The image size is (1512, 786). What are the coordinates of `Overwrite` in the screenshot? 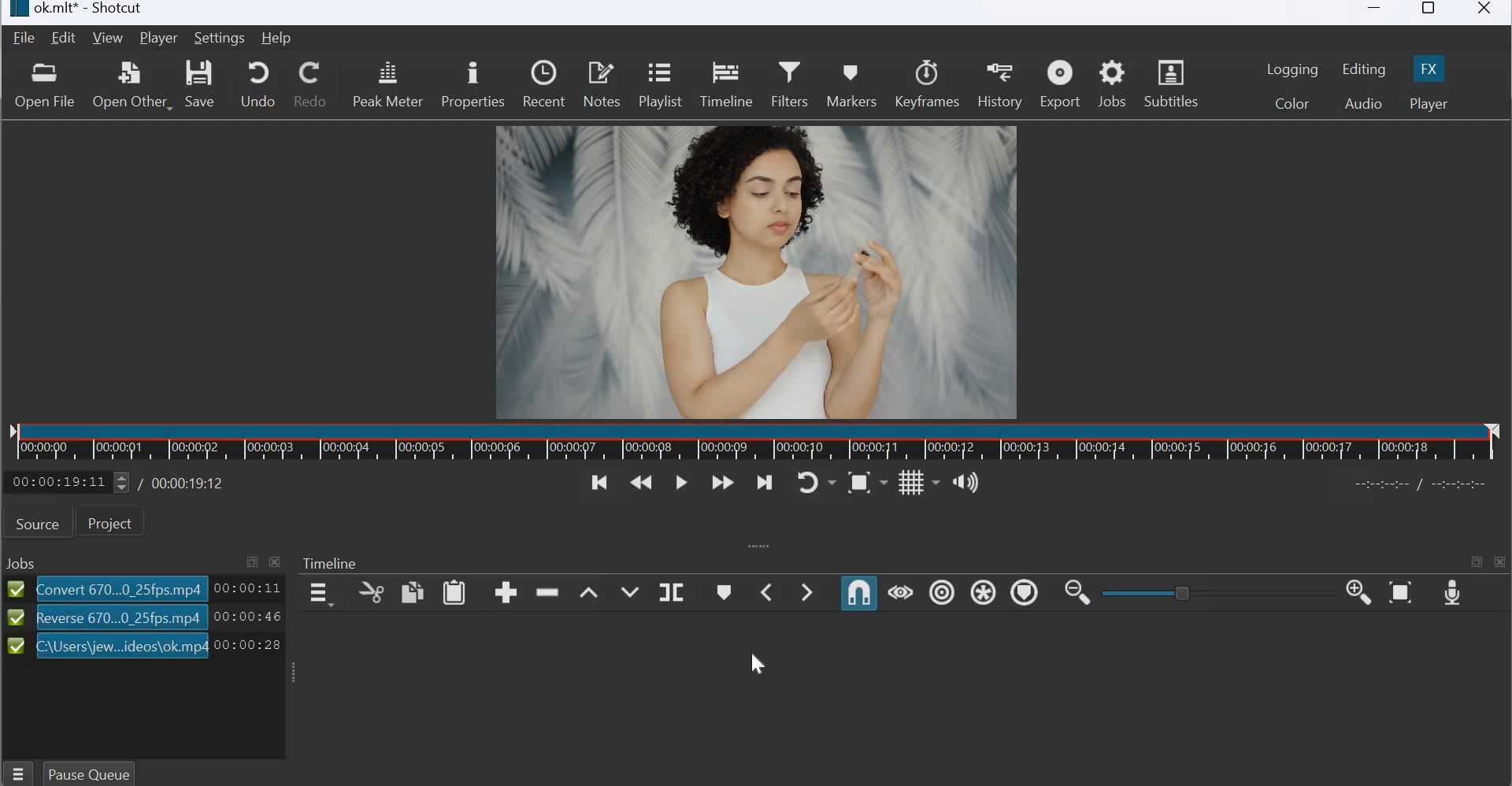 It's located at (628, 591).